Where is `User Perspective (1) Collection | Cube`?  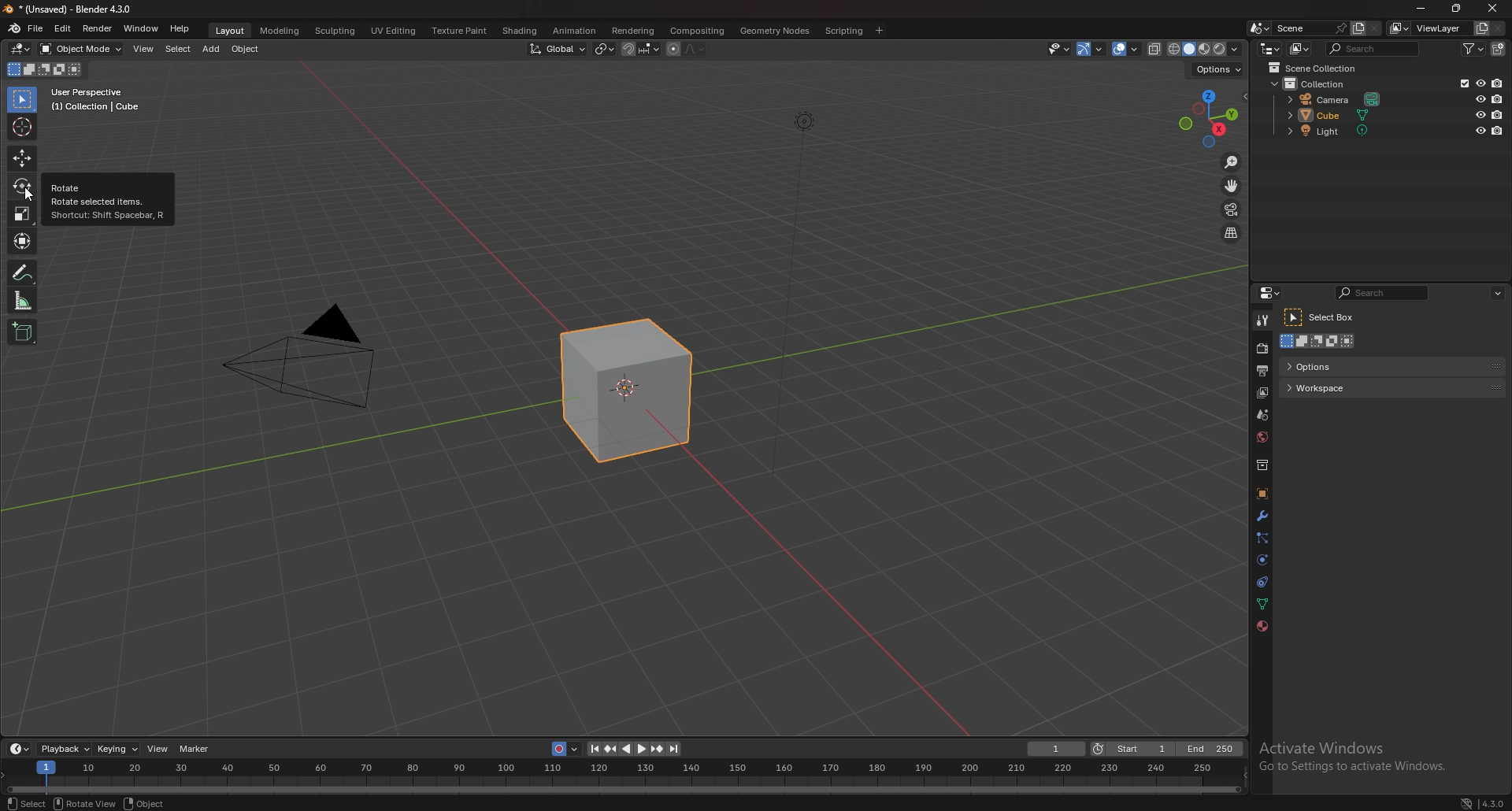
User Perspective (1) Collection | Cube is located at coordinates (96, 100).